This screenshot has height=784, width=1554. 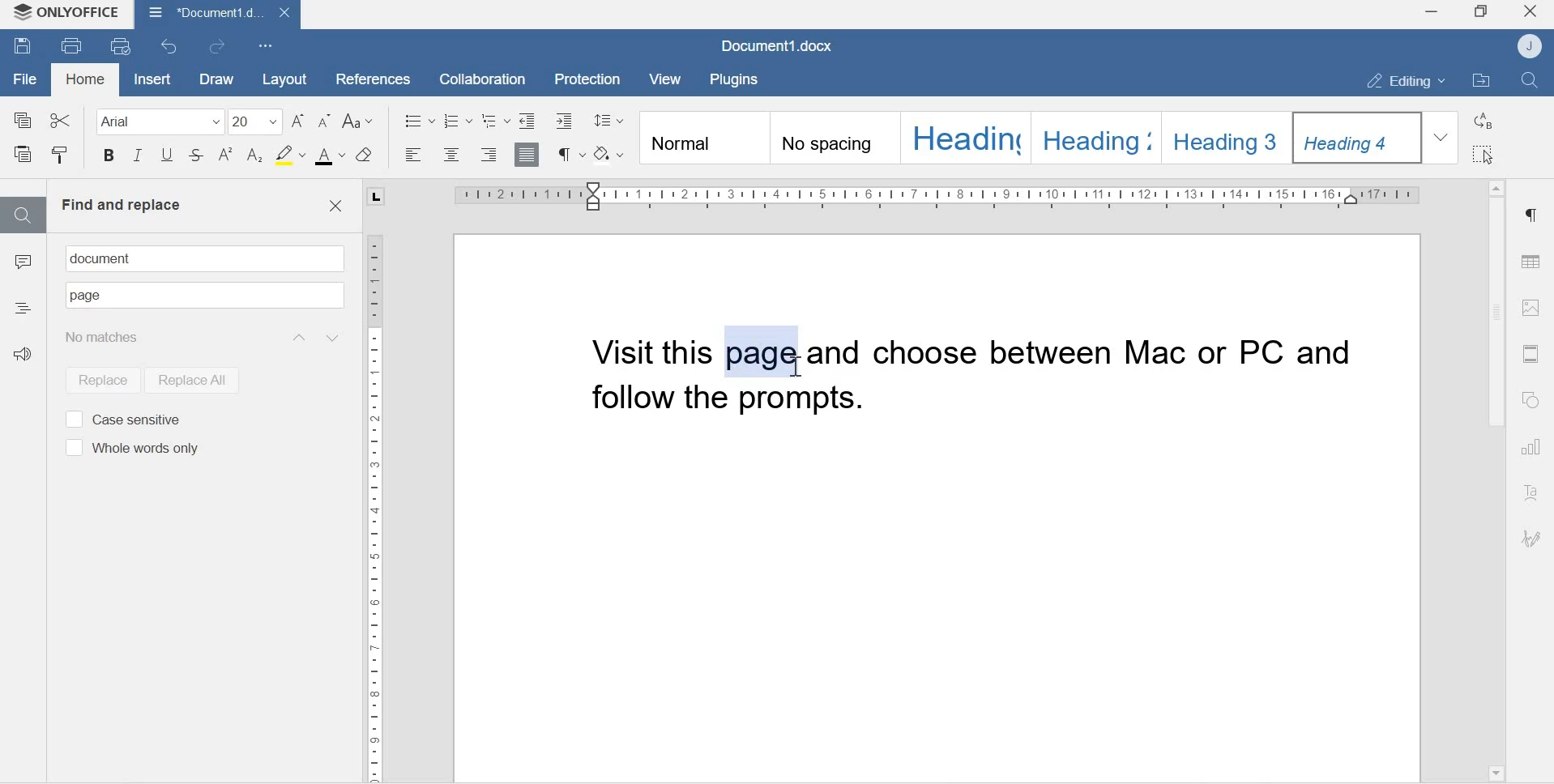 I want to click on Replace, so click(x=1485, y=121).